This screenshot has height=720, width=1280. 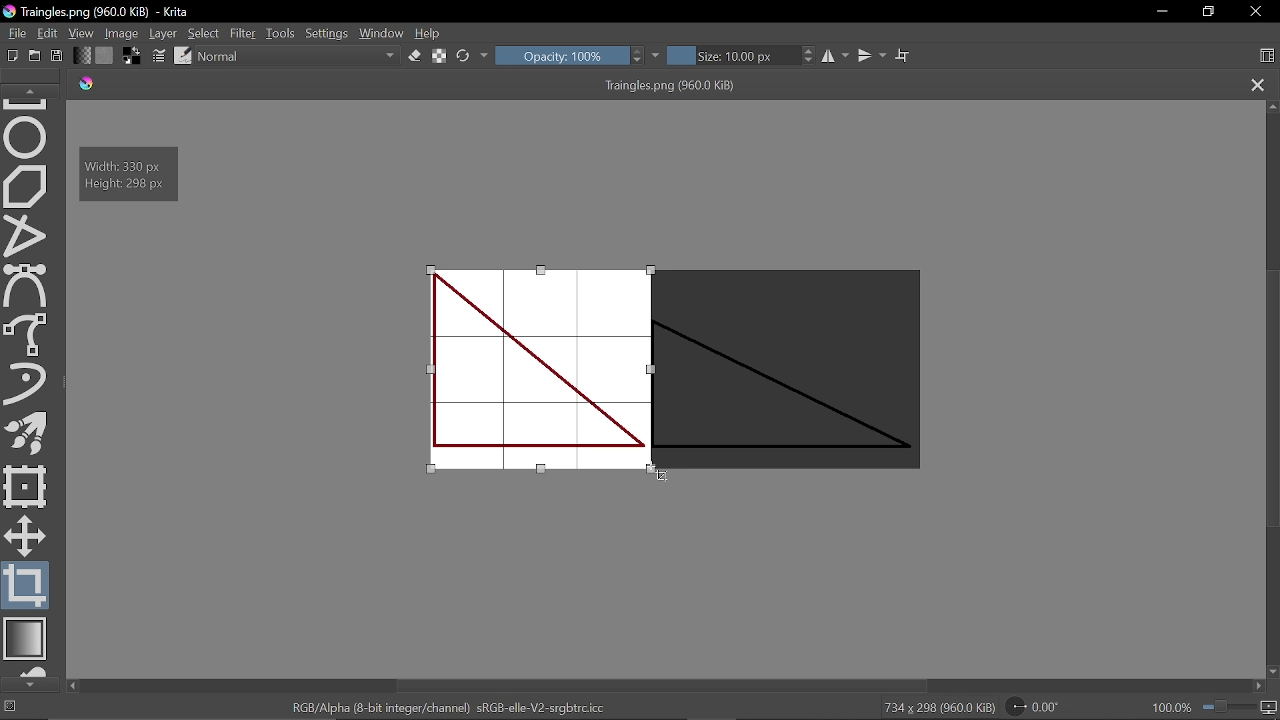 I want to click on Reload original preset, so click(x=464, y=56).